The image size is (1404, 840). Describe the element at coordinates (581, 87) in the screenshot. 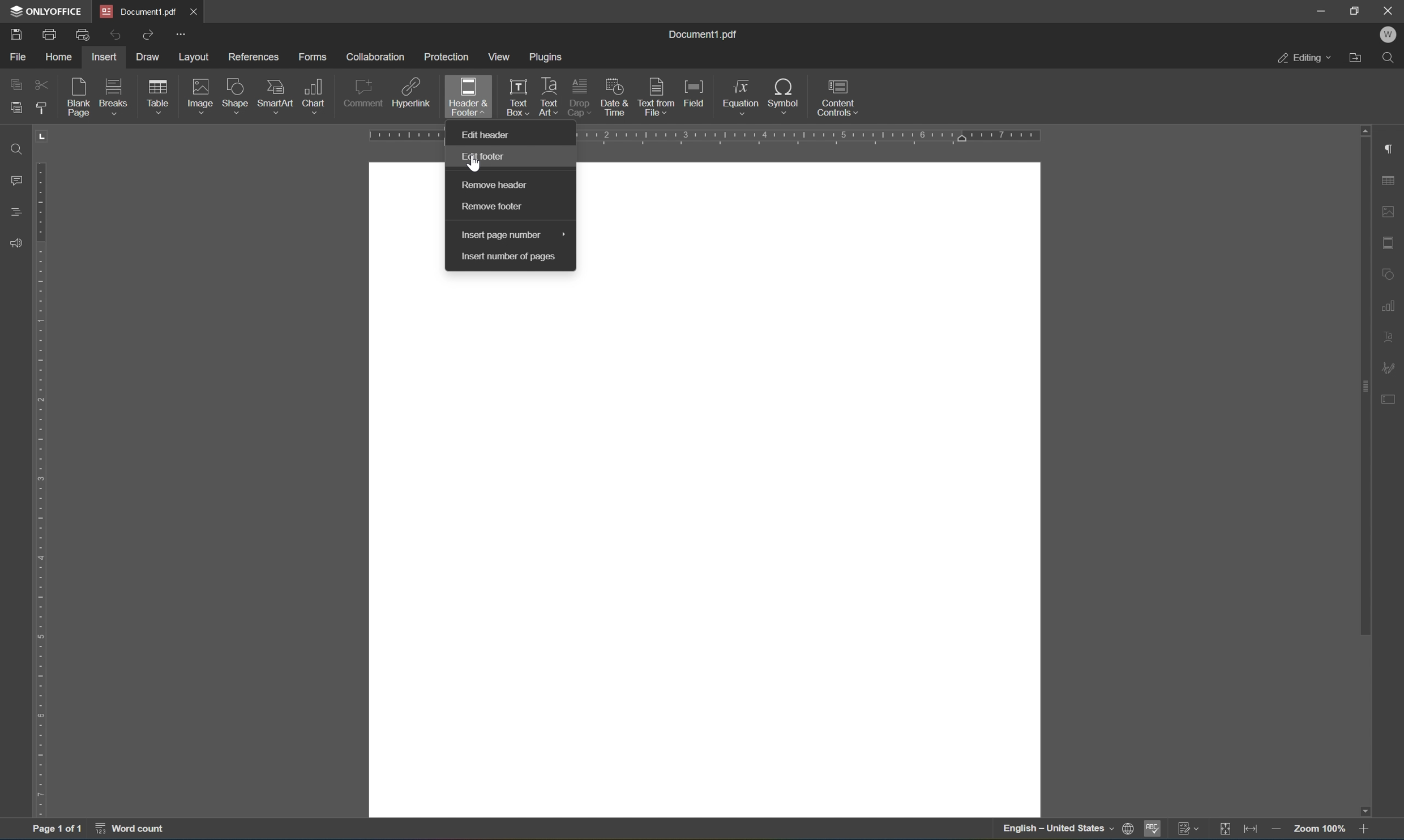

I see `drop cap` at that location.